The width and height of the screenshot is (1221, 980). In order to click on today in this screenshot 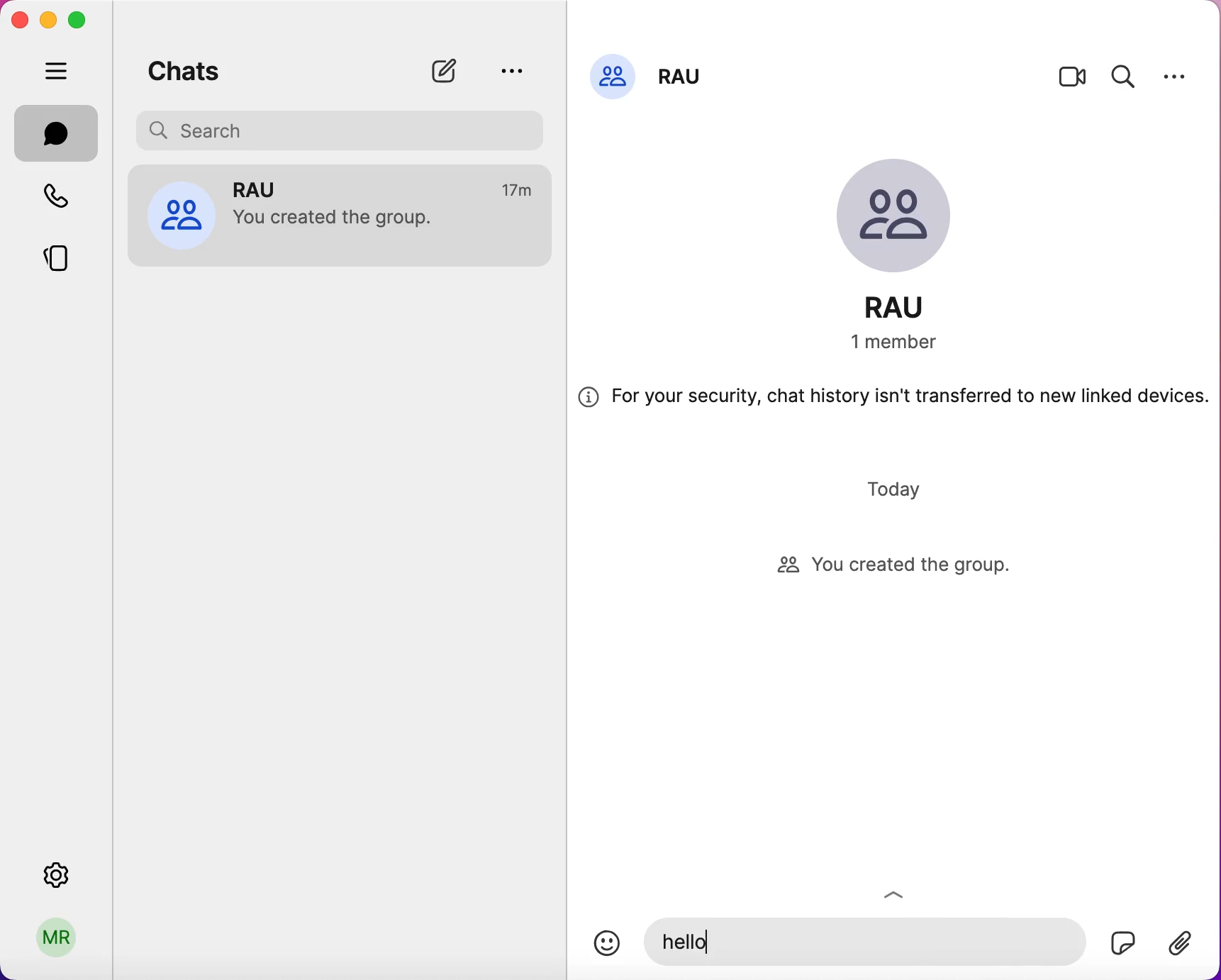, I will do `click(898, 489)`.